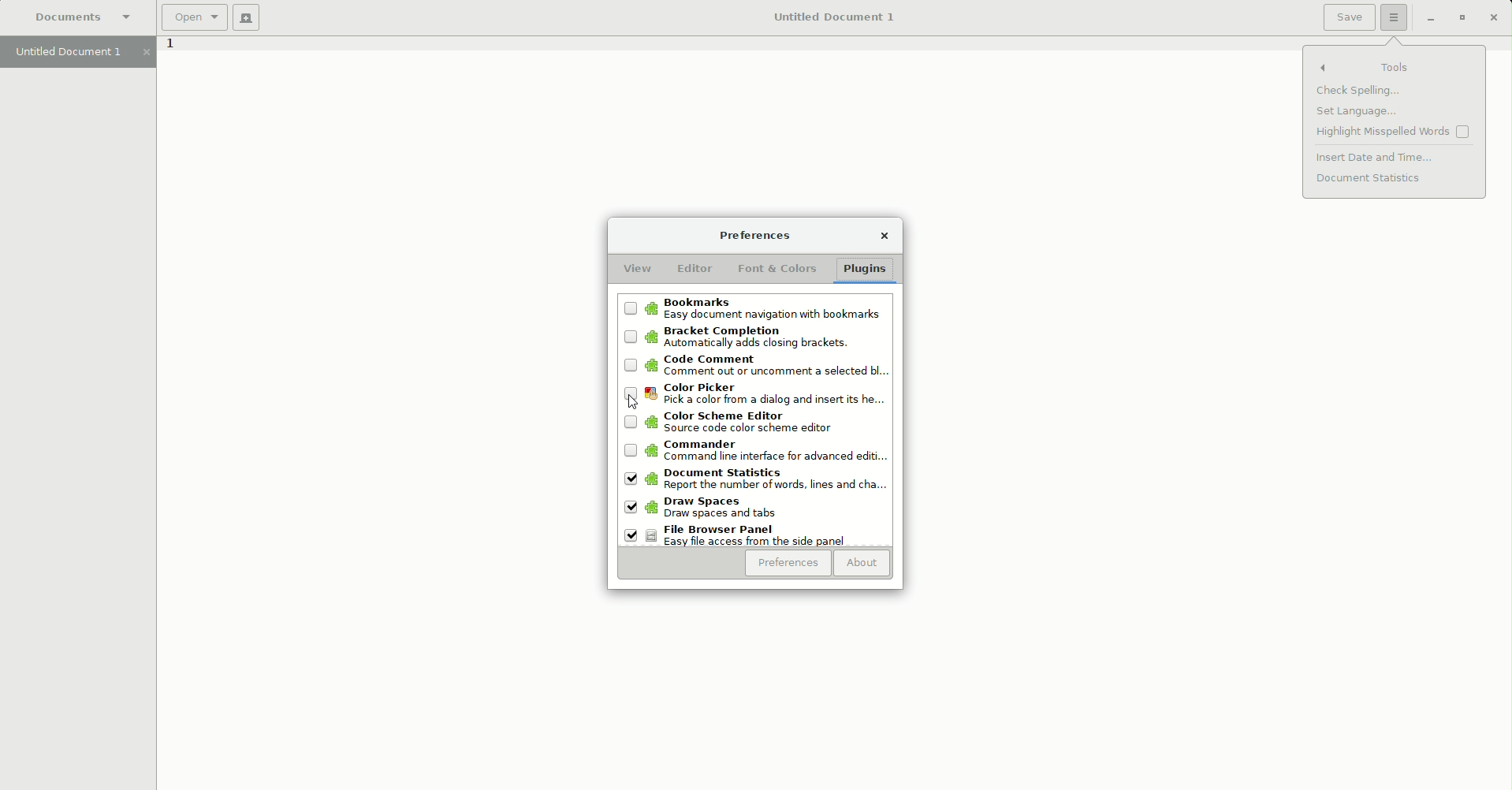  I want to click on Document statistics: Report the number of words, lines, and cha...., so click(755, 482).